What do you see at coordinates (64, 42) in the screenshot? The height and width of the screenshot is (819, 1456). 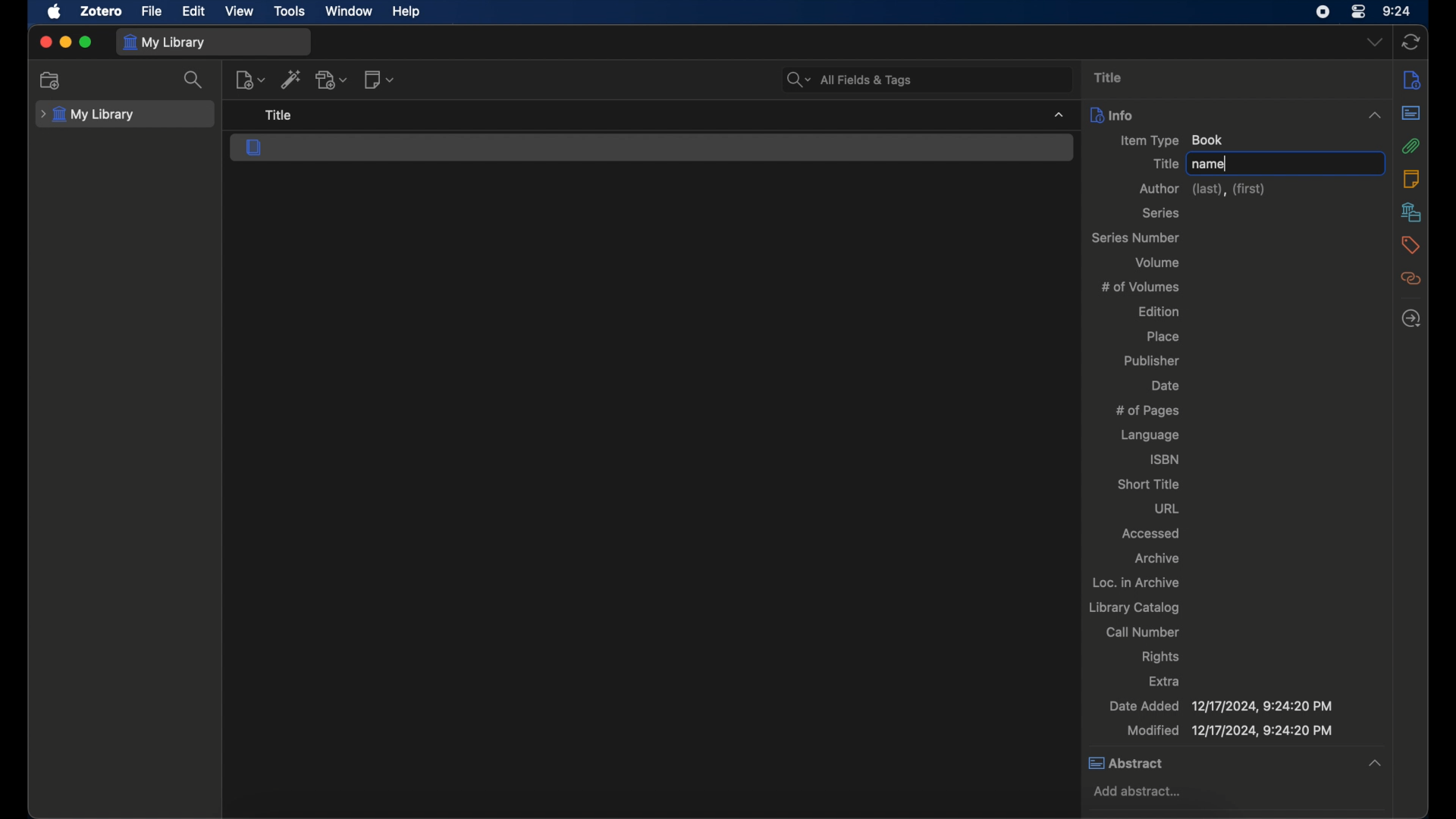 I see `minimize` at bounding box center [64, 42].